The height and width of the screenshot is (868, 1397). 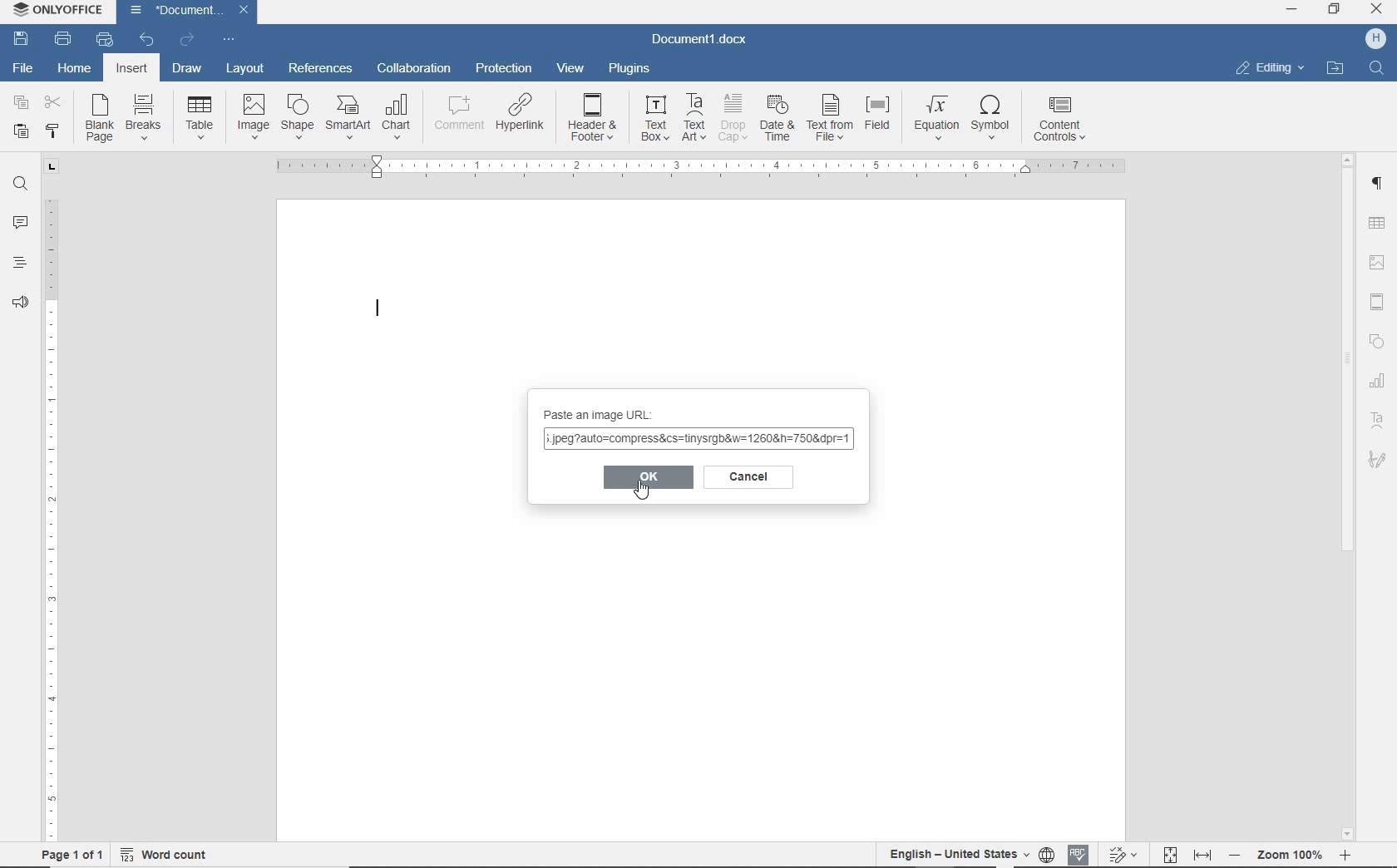 What do you see at coordinates (415, 67) in the screenshot?
I see `collaboration` at bounding box center [415, 67].